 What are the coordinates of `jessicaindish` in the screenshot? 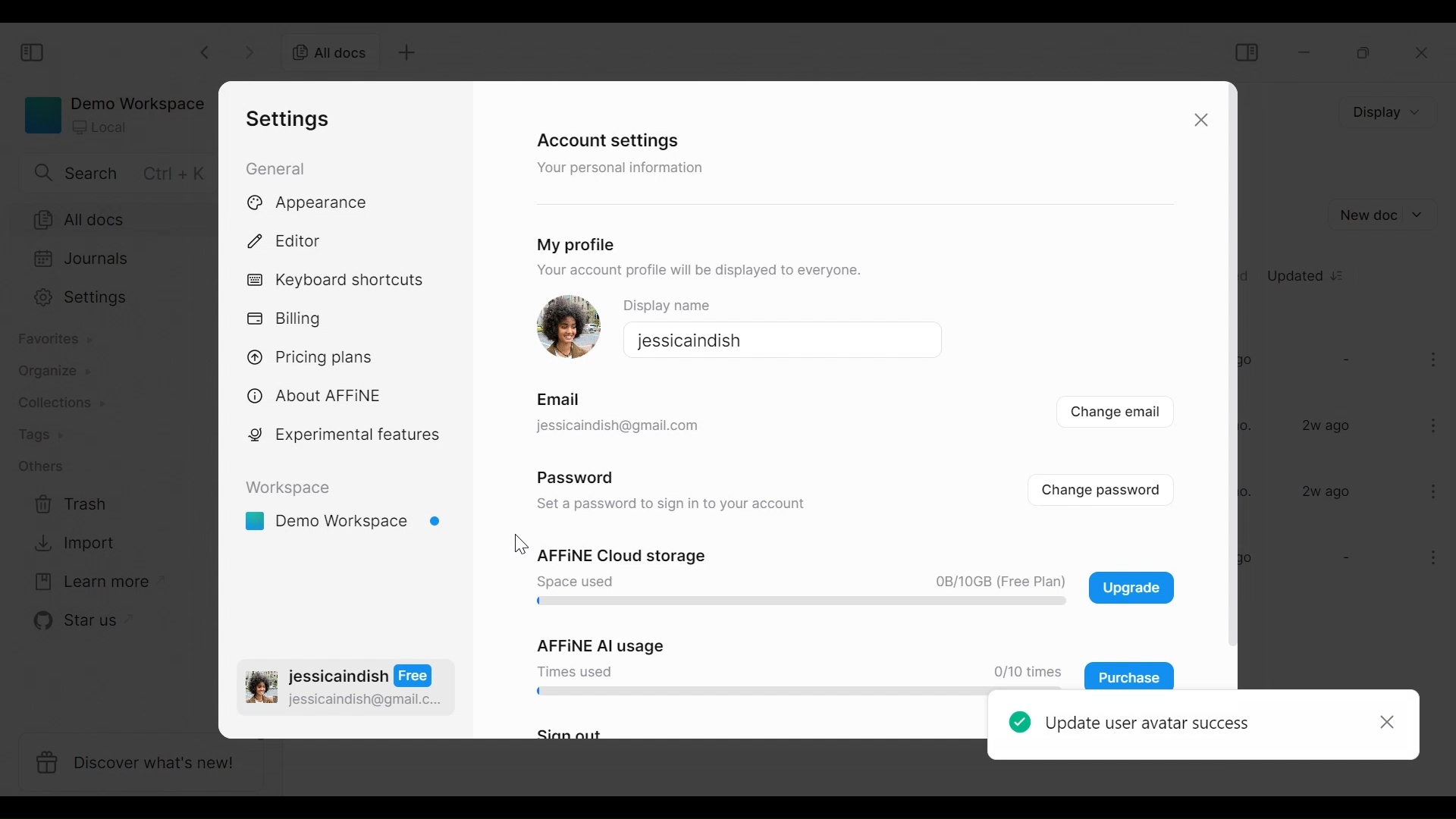 It's located at (686, 339).